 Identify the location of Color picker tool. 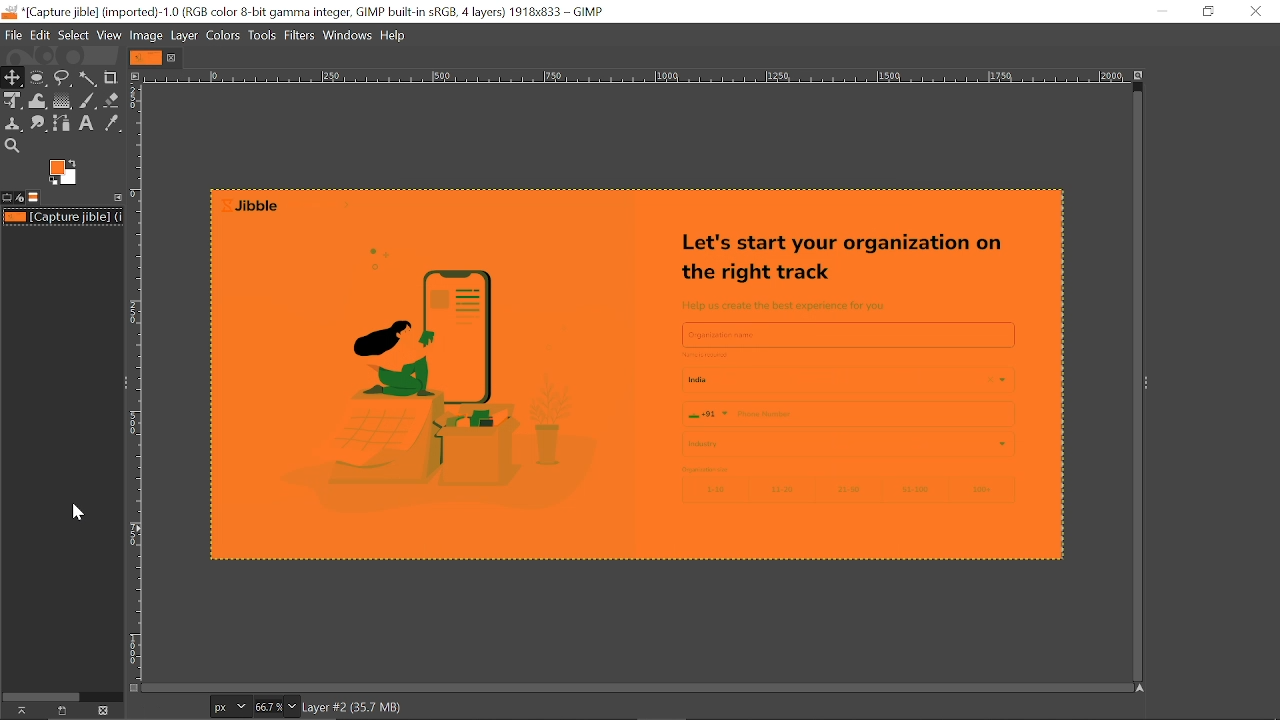
(111, 124).